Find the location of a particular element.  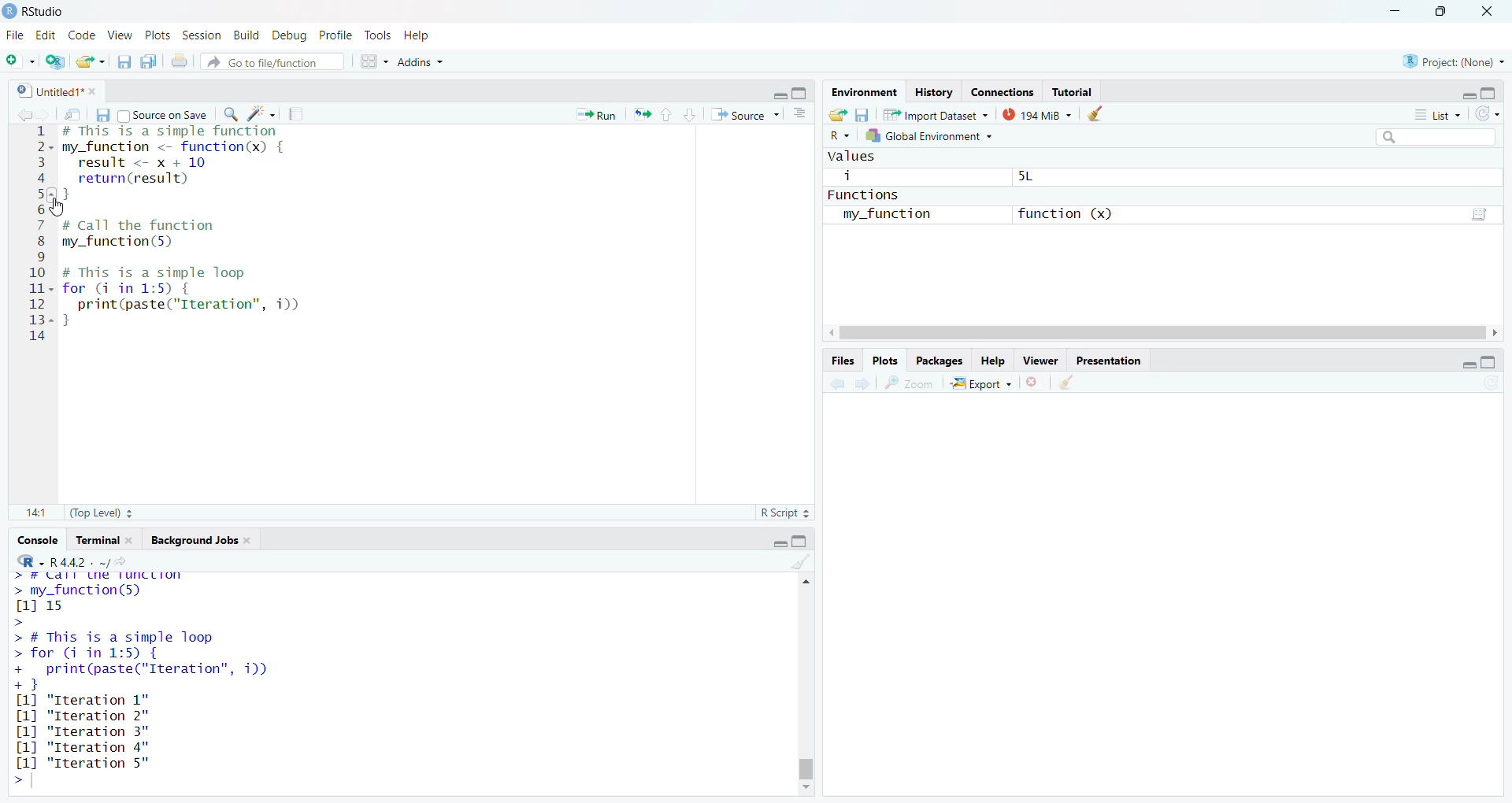

re-run the previous code region is located at coordinates (641, 116).